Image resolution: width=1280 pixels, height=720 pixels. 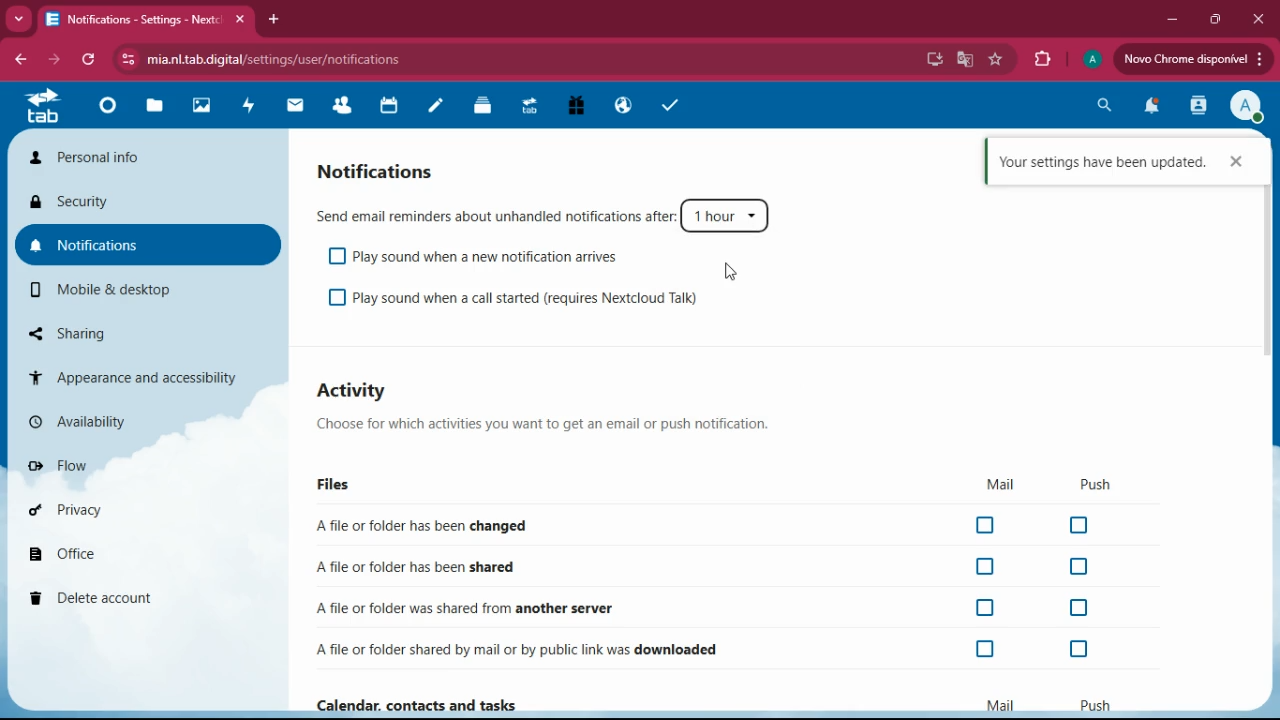 I want to click on mail, so click(x=298, y=106).